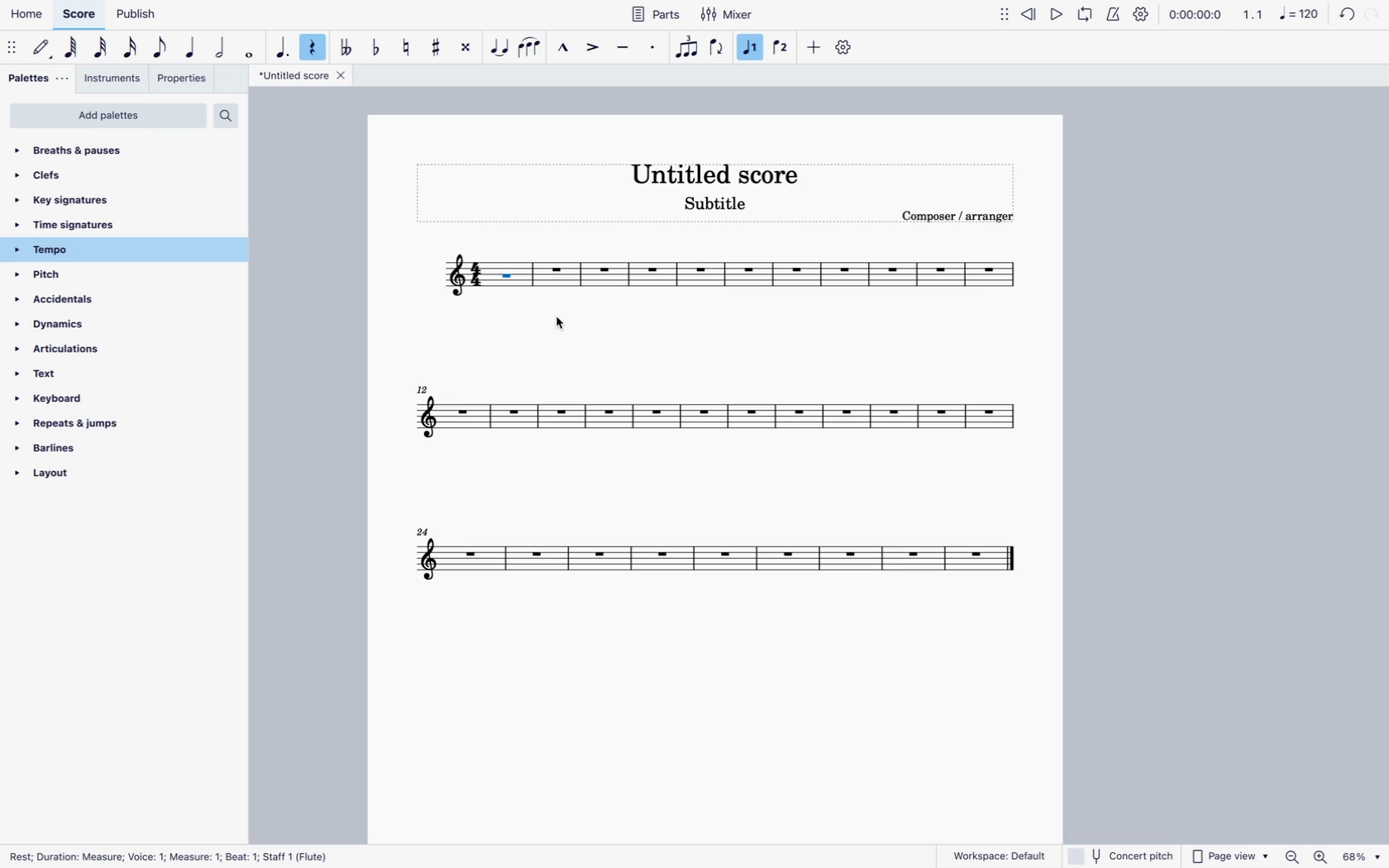 This screenshot has height=868, width=1389. I want to click on rest, so click(316, 48).